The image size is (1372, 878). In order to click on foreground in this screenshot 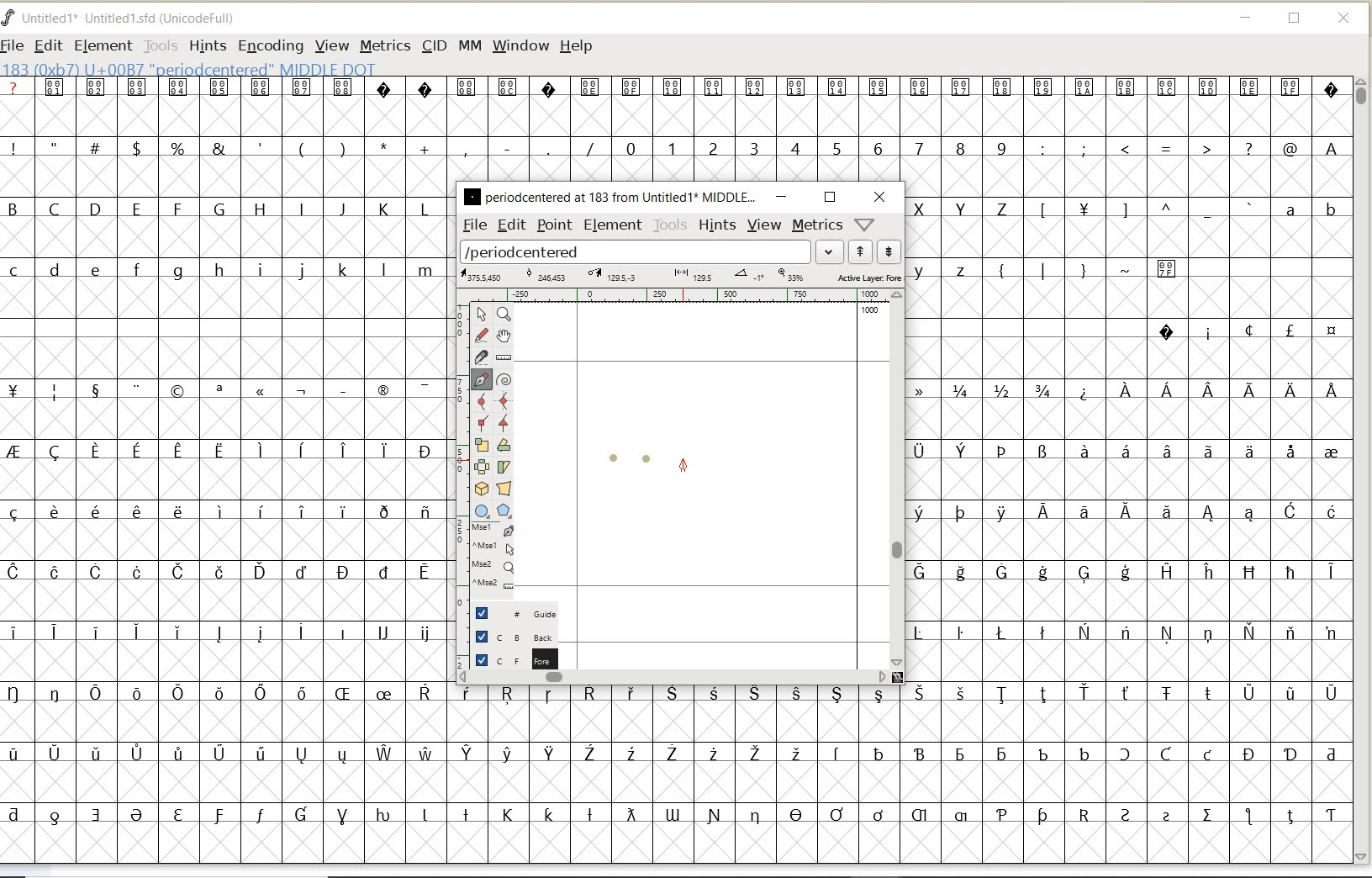, I will do `click(510, 658)`.